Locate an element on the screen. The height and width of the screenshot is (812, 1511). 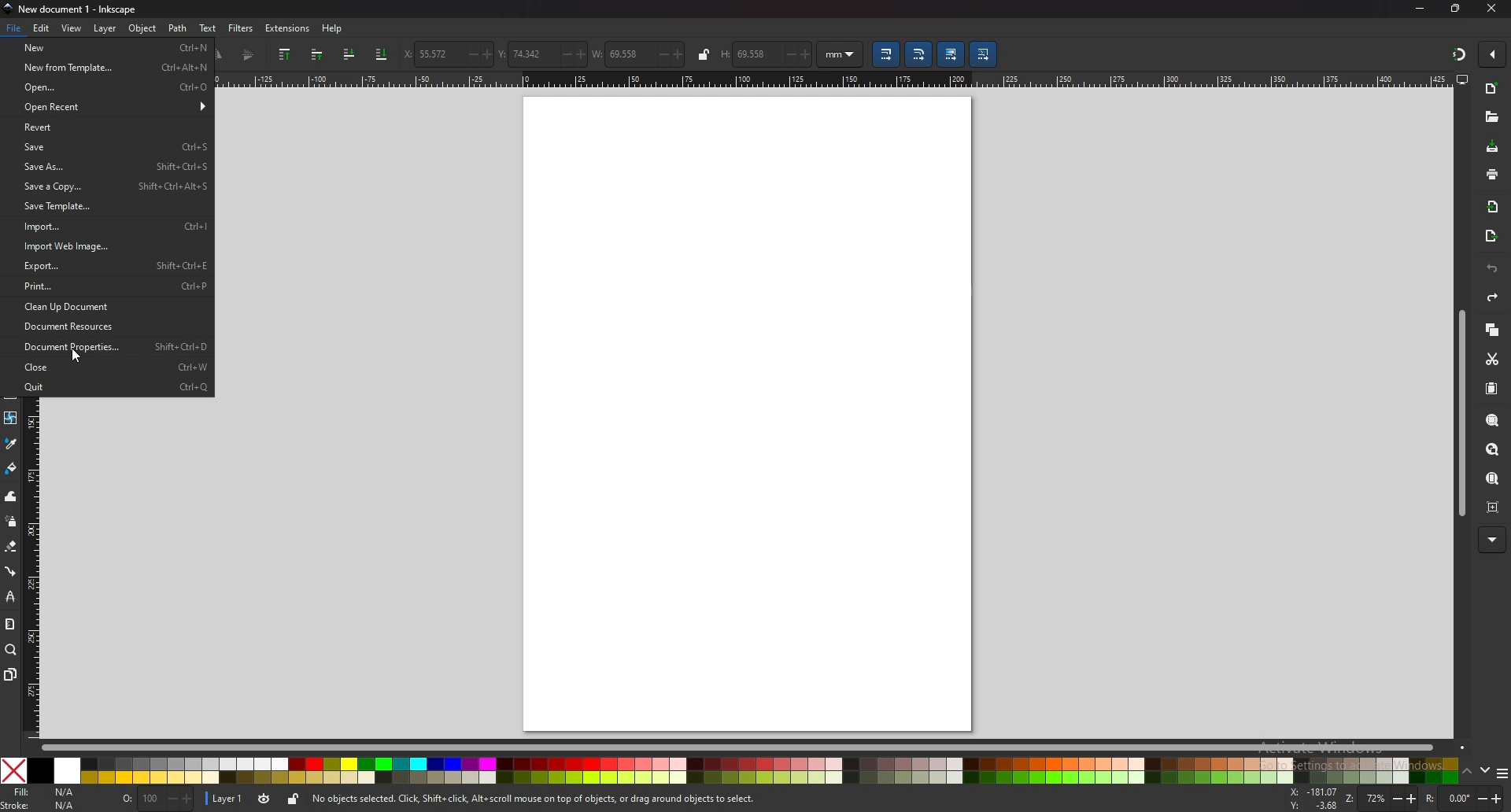
+ is located at coordinates (1500, 798).